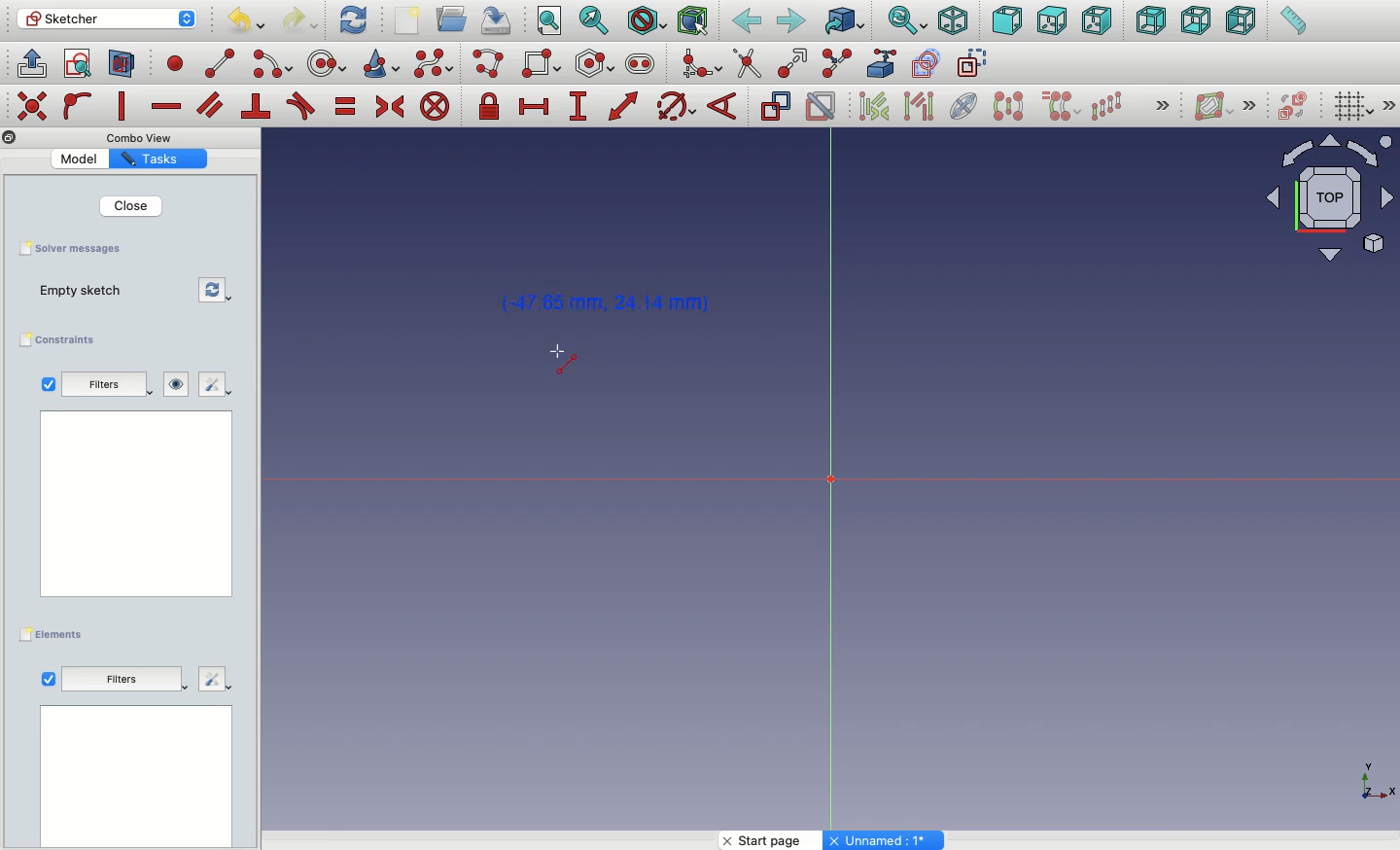 The height and width of the screenshot is (850, 1400). What do you see at coordinates (919, 109) in the screenshot?
I see `Associated geometry` at bounding box center [919, 109].